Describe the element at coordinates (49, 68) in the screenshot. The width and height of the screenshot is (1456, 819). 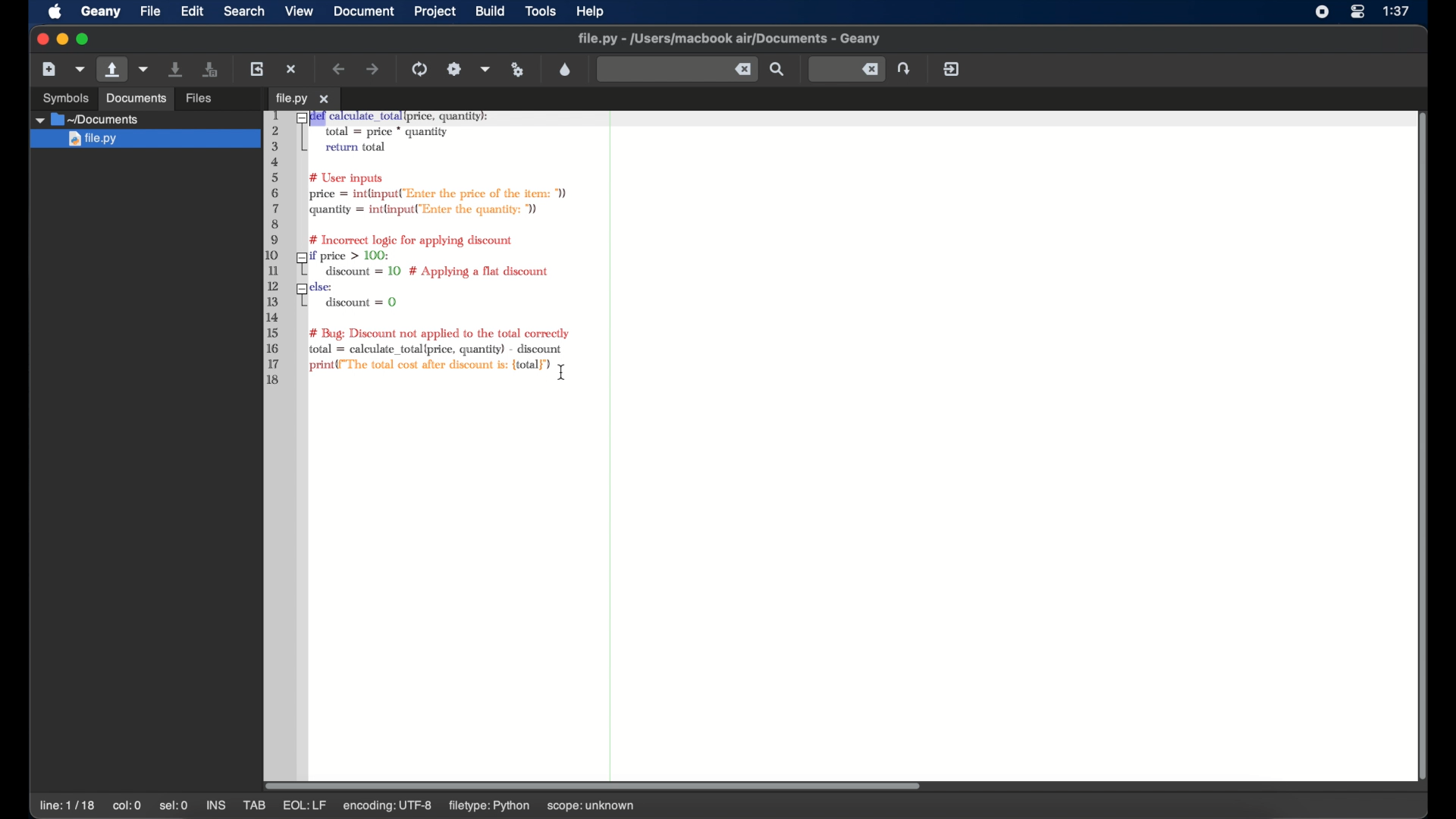
I see `new file` at that location.